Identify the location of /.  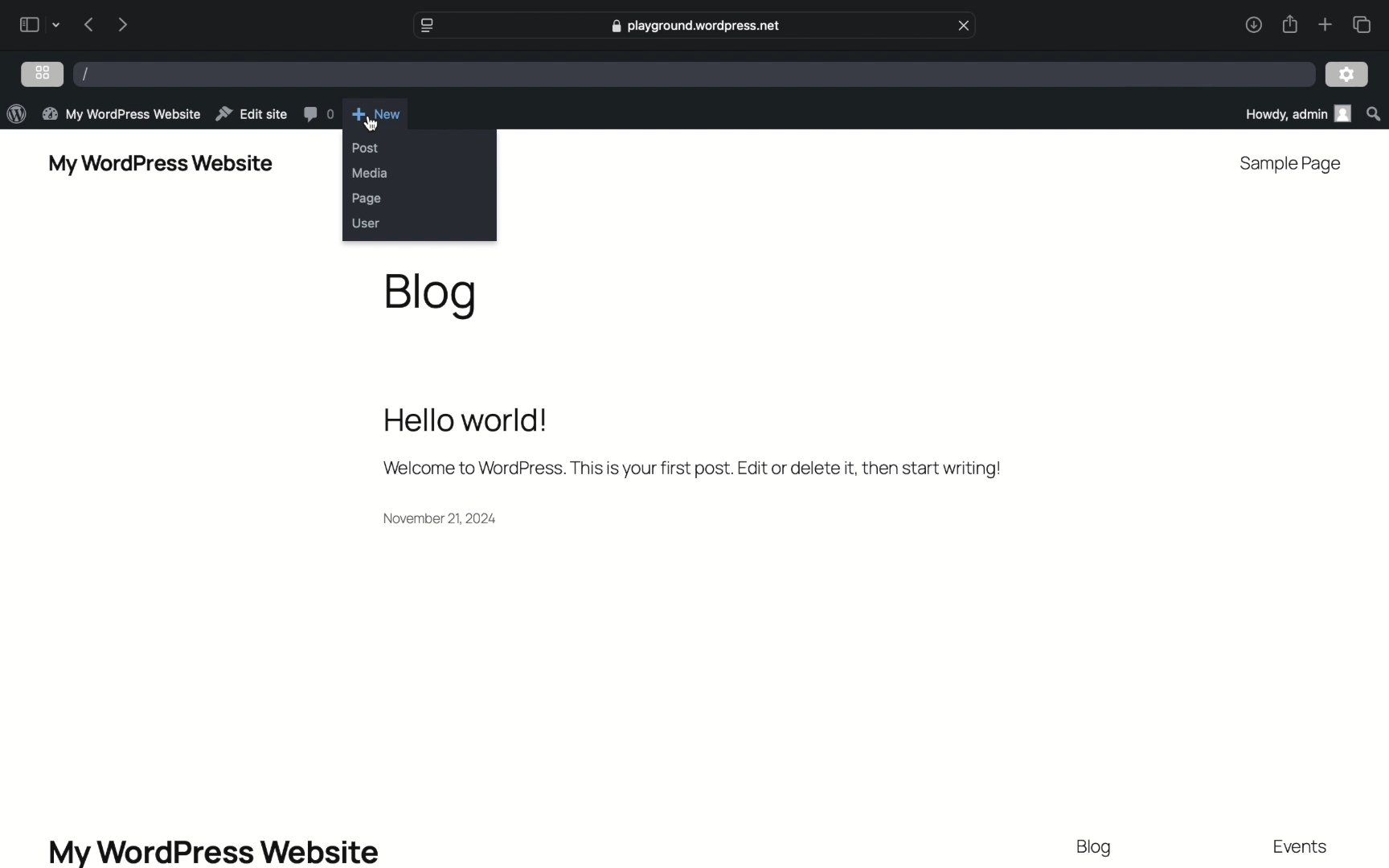
(85, 74).